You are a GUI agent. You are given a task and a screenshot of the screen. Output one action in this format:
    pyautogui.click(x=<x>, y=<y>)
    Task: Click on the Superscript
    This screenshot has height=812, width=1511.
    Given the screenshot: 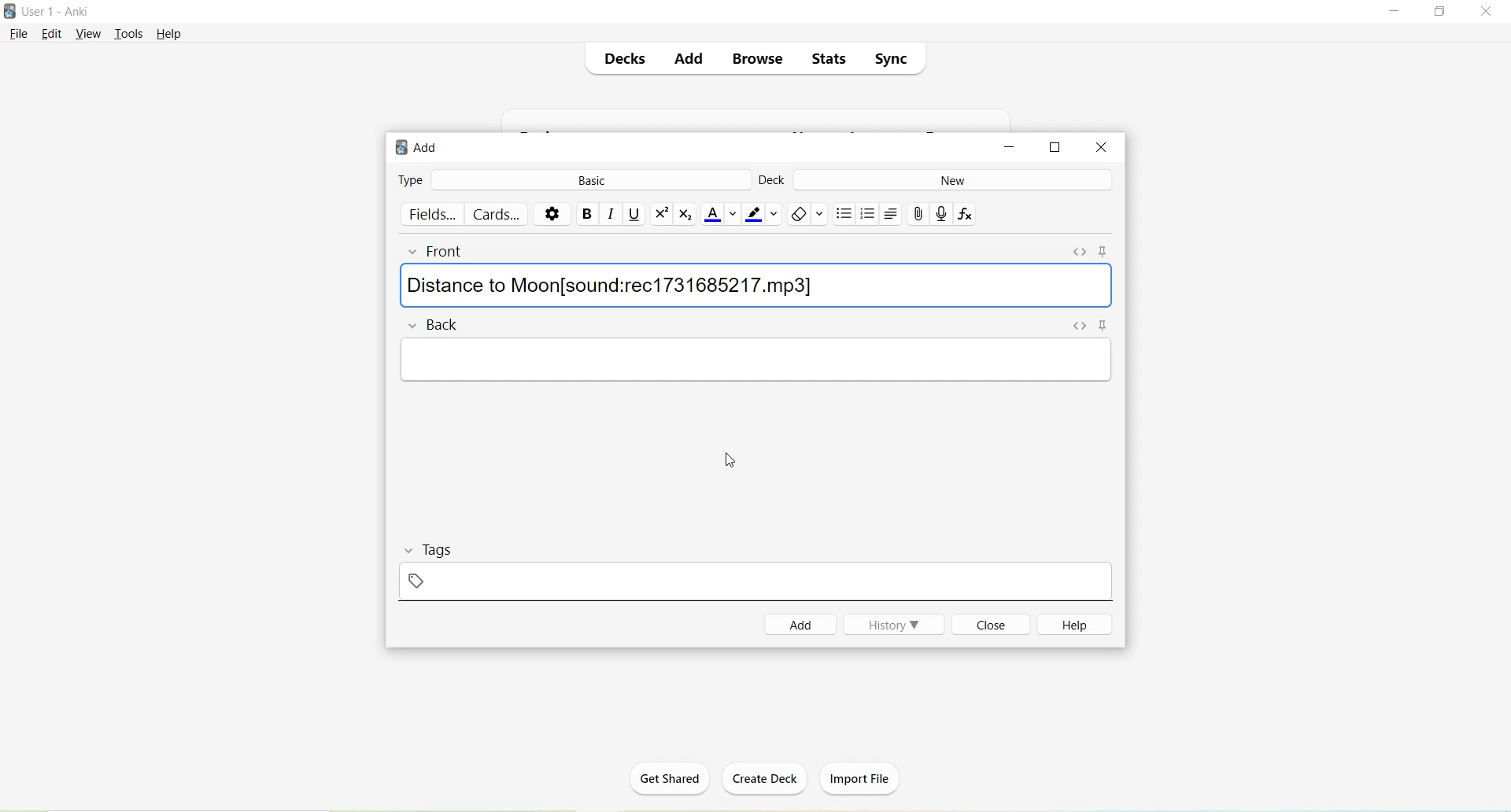 What is the action you would take?
    pyautogui.click(x=661, y=216)
    